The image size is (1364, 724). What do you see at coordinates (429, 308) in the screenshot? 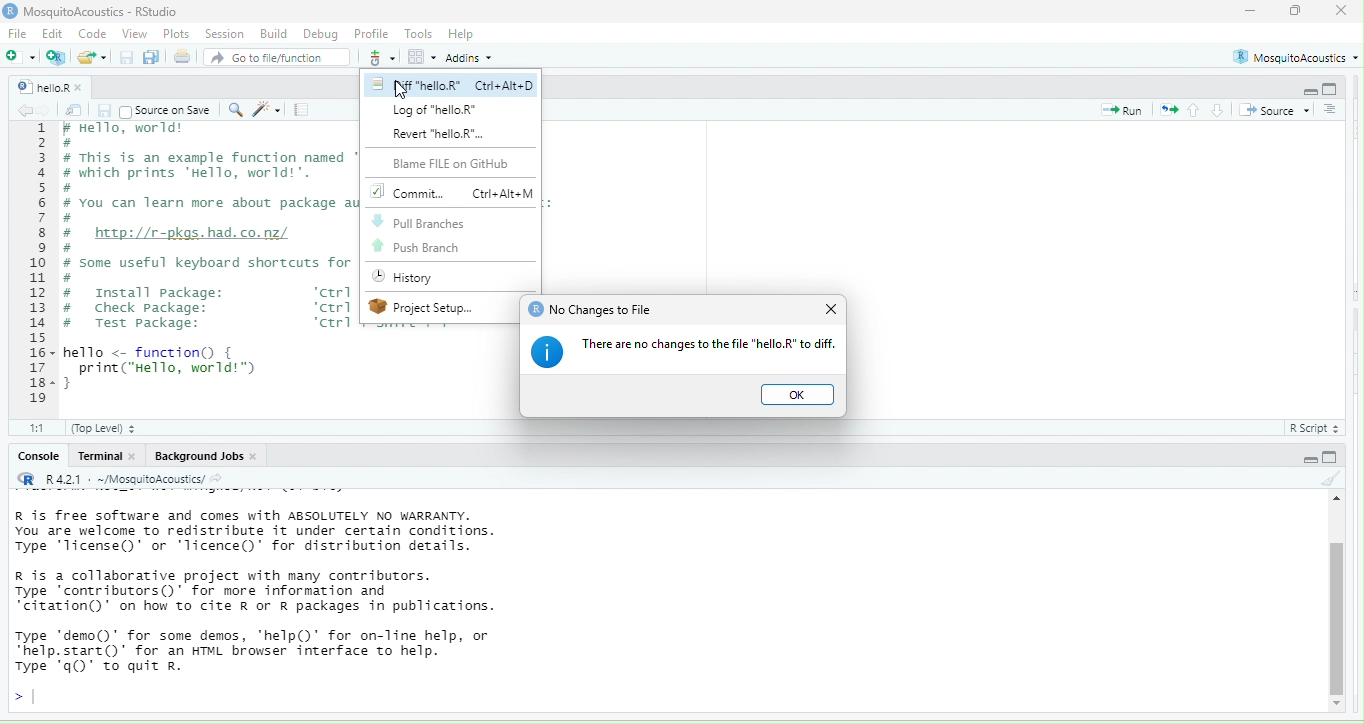
I see `W Project Setup...` at bounding box center [429, 308].